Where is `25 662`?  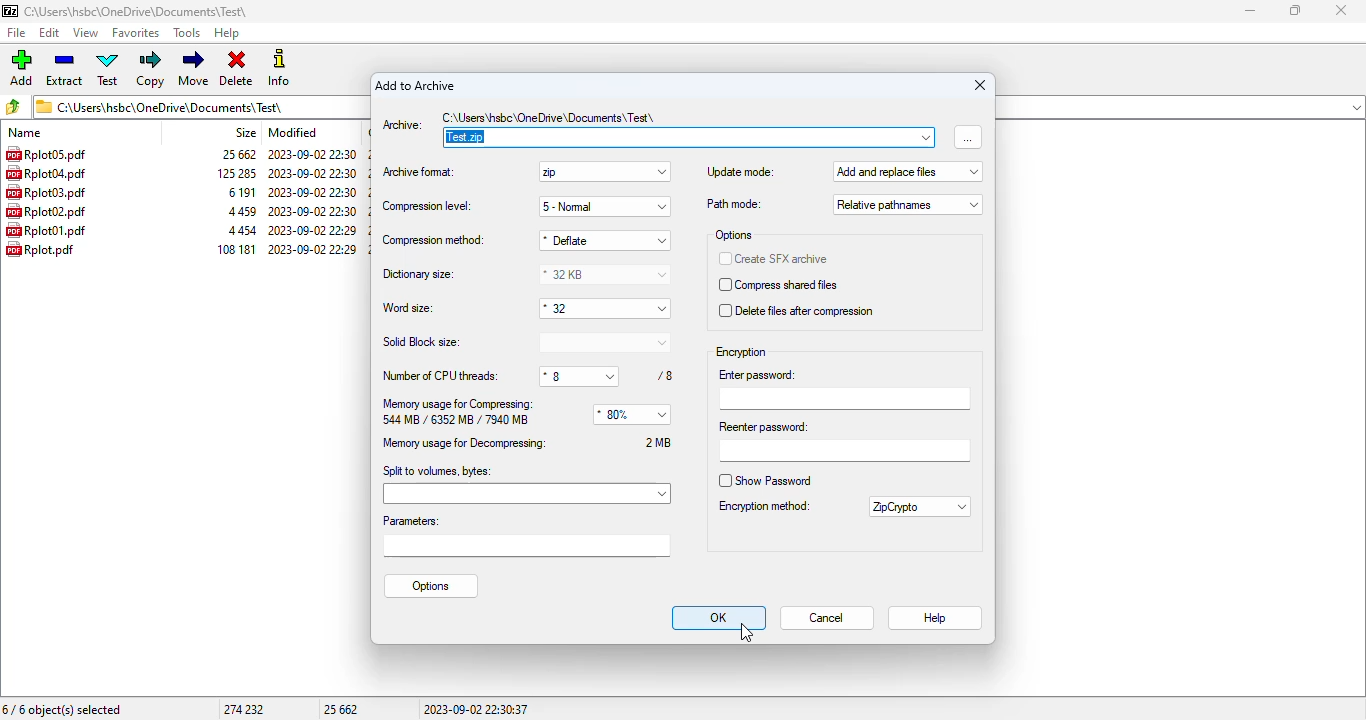 25 662 is located at coordinates (342, 709).